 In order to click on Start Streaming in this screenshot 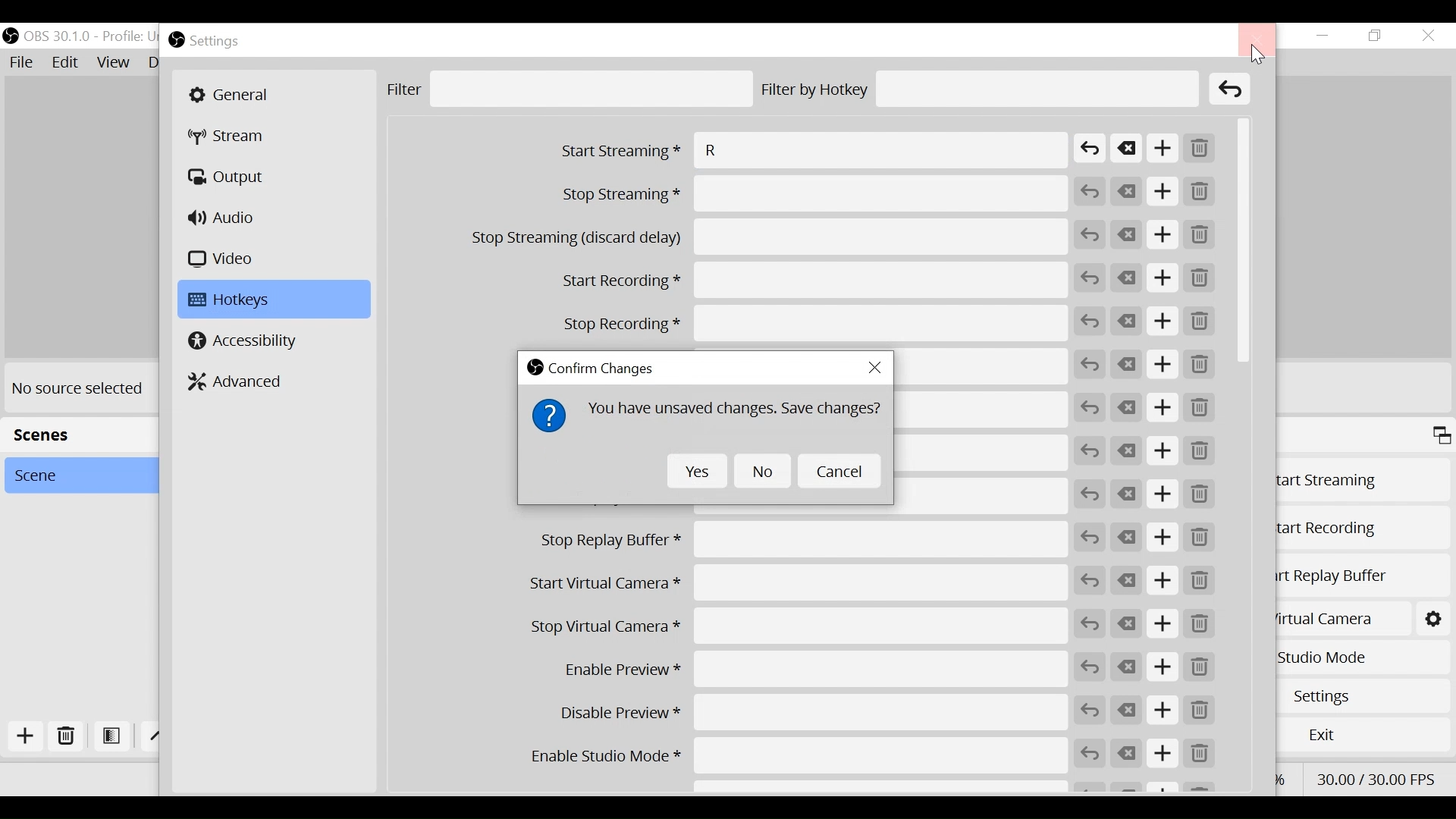, I will do `click(812, 149)`.